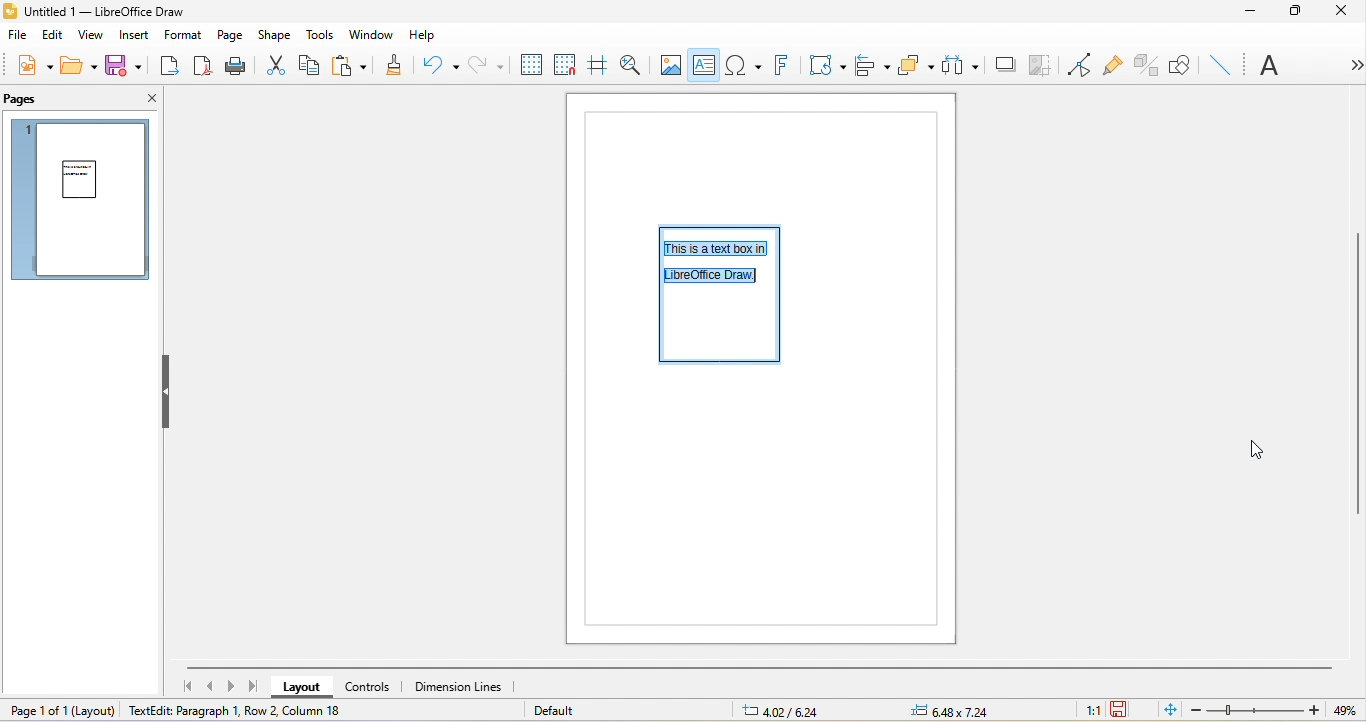  I want to click on Adjusted the text spacing in a text box, so click(725, 300).